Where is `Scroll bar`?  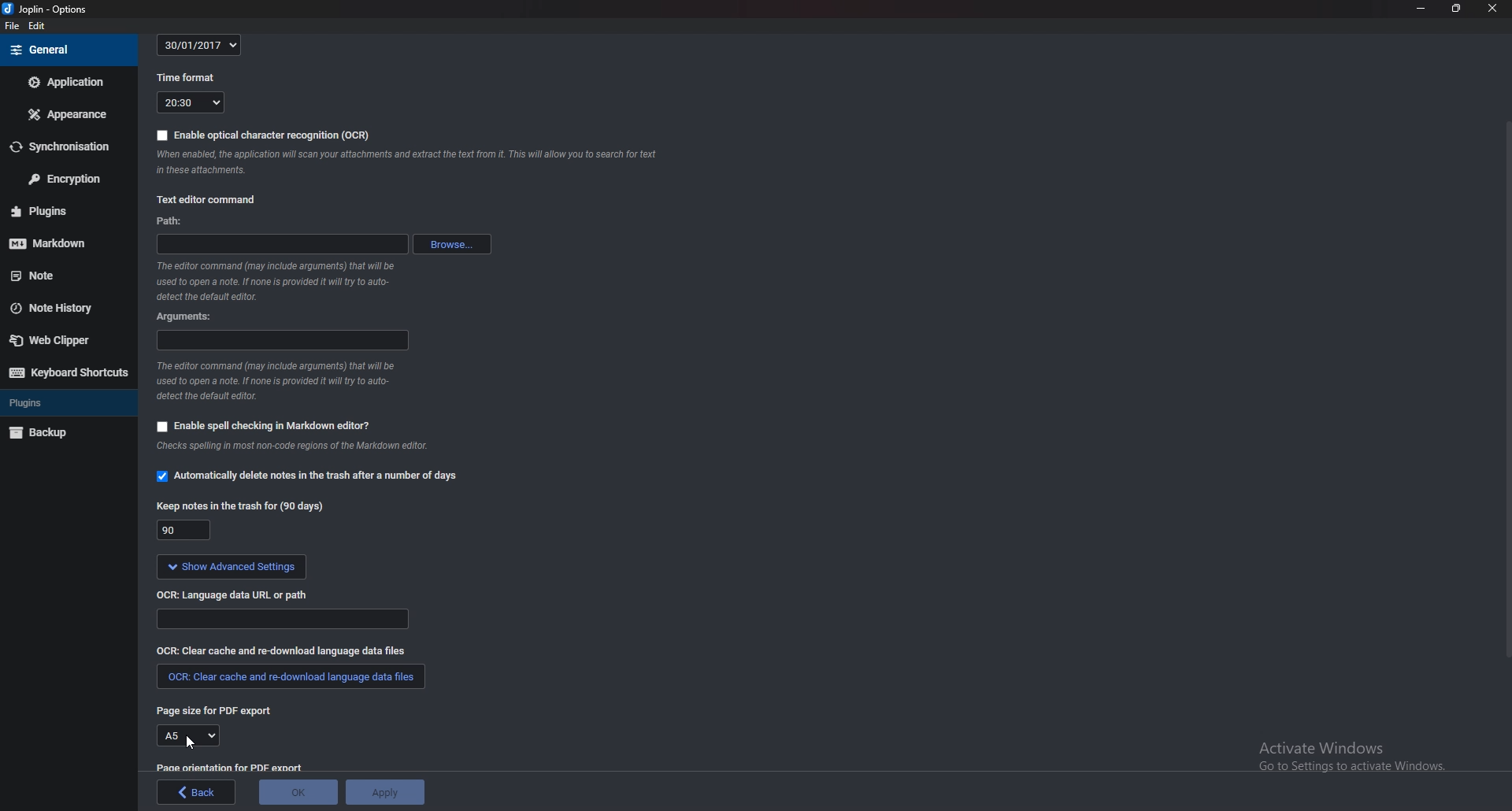 Scroll bar is located at coordinates (1506, 388).